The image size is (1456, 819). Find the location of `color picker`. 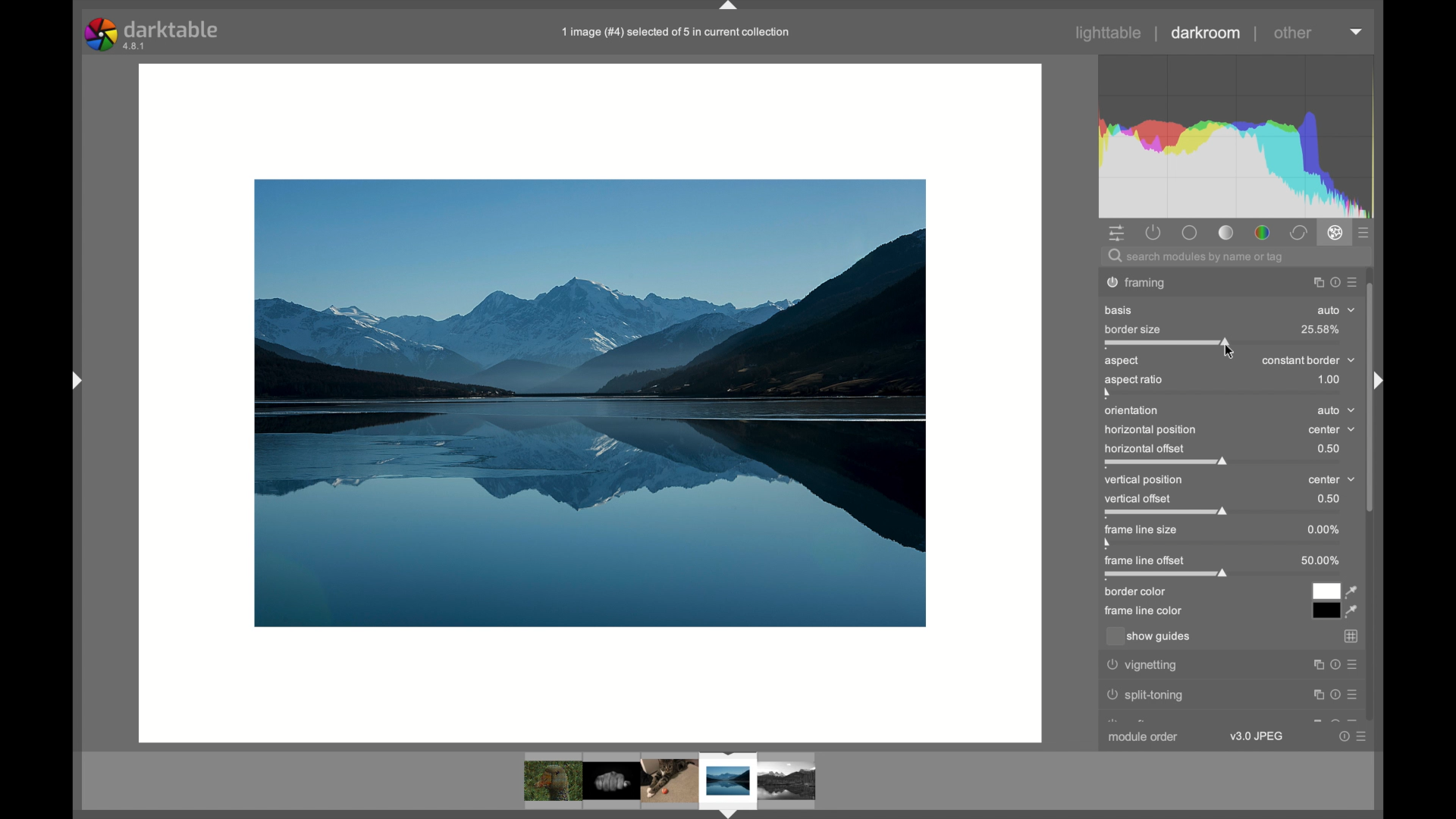

color picker is located at coordinates (1352, 613).